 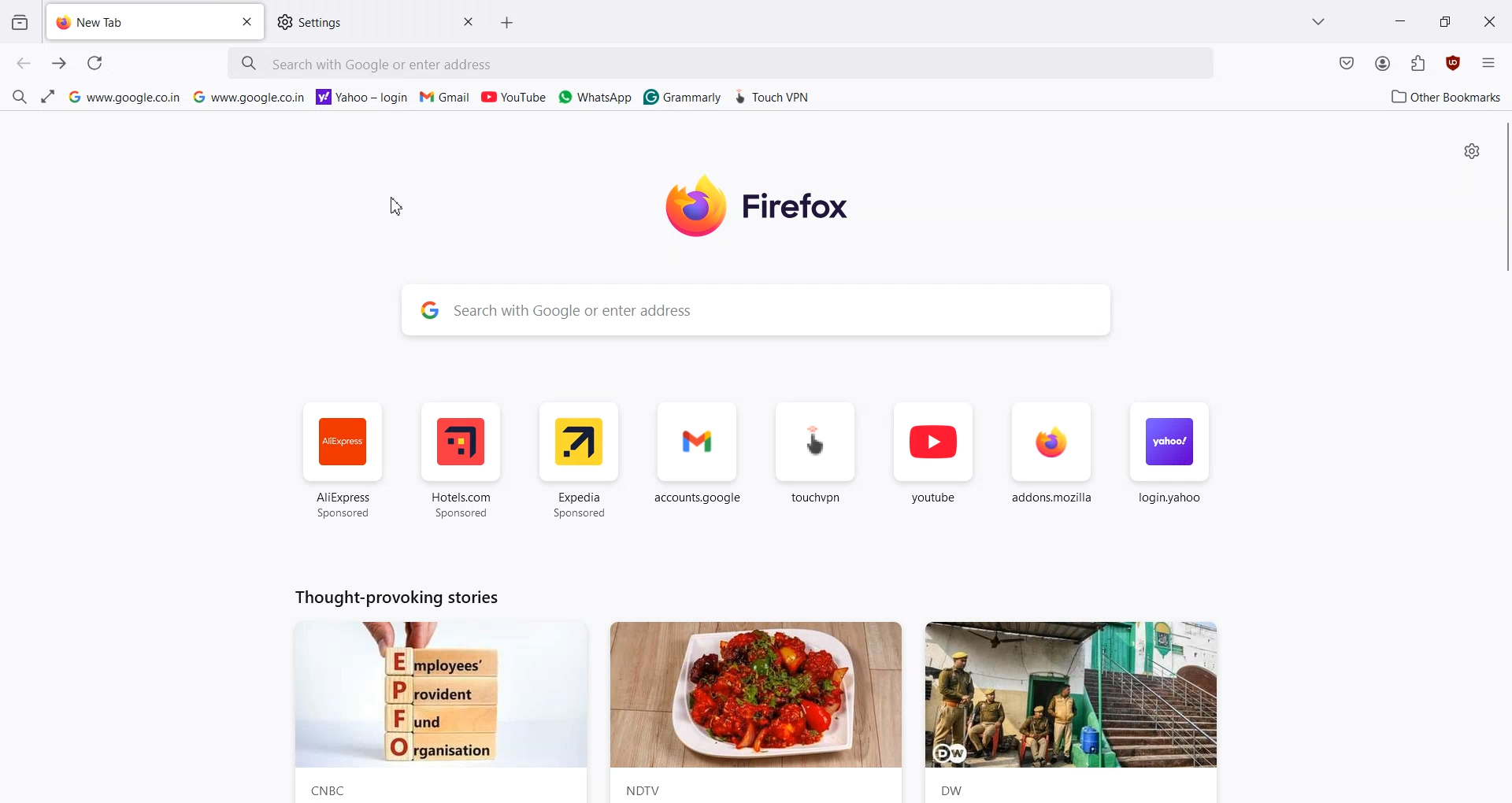 I want to click on Logo, so click(x=780, y=206).